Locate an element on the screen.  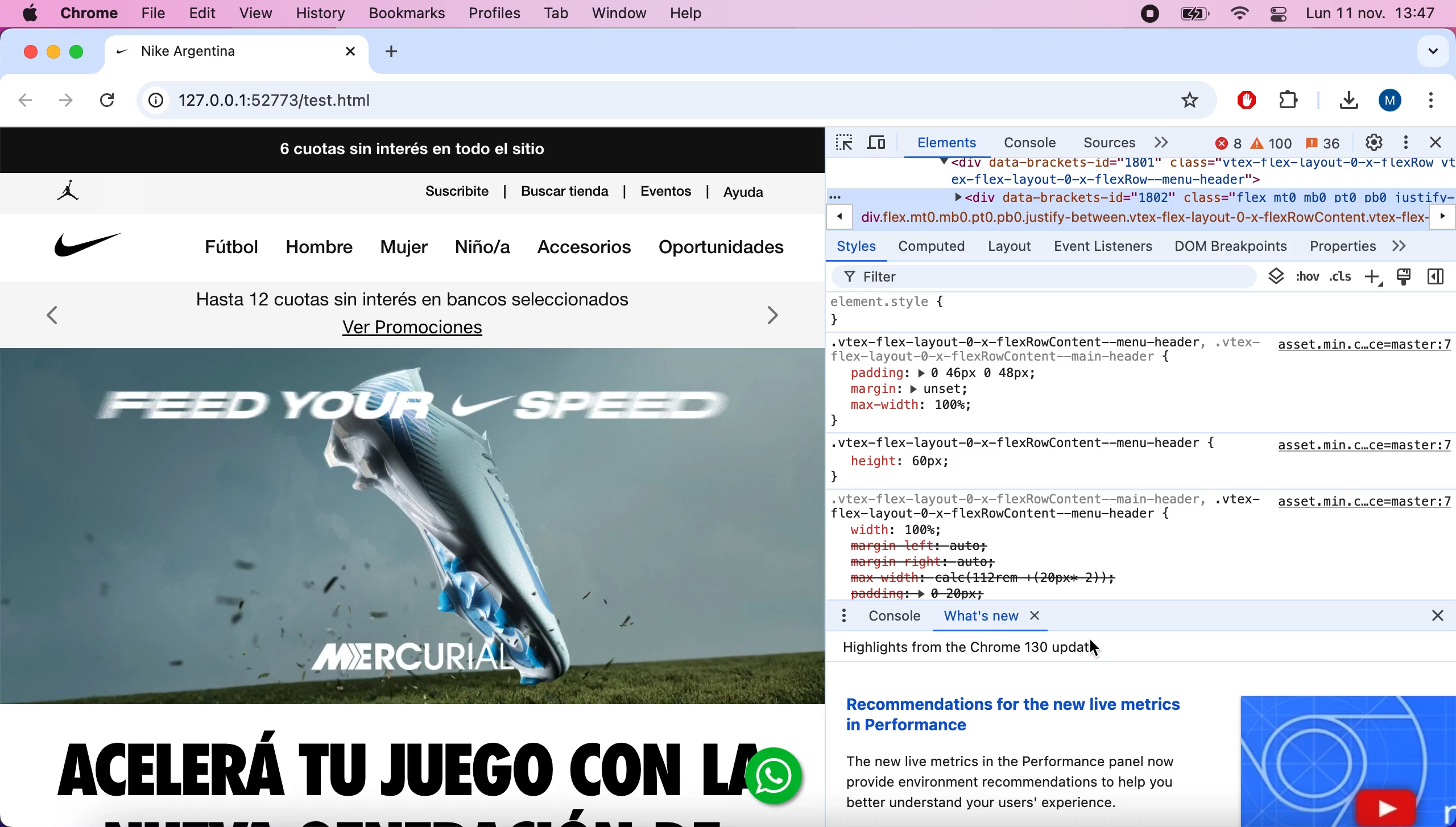
filter bar is located at coordinates (1048, 276).